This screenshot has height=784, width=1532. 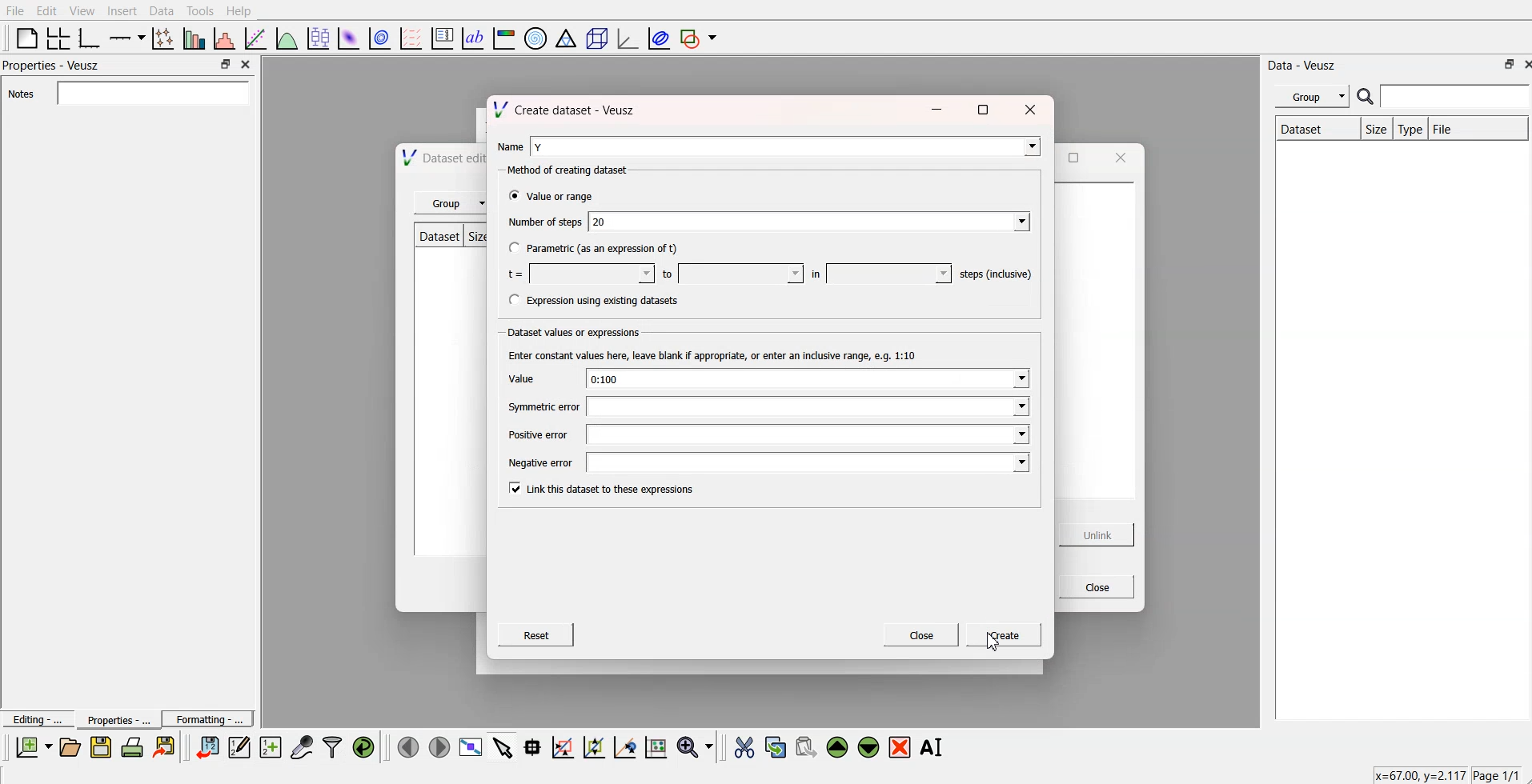 I want to click on field, so click(x=808, y=408).